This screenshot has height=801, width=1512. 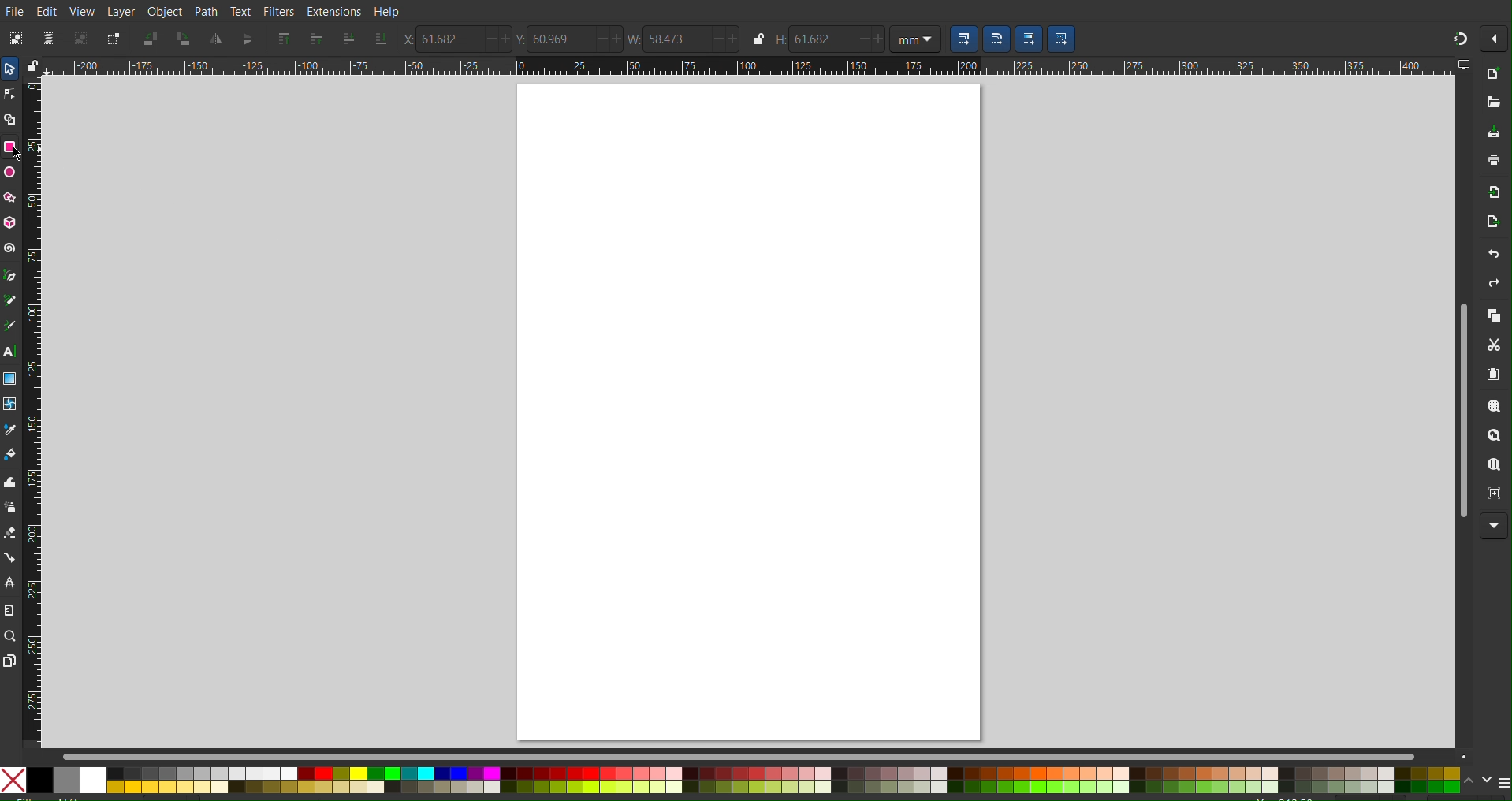 I want to click on Measure Tool, so click(x=9, y=610).